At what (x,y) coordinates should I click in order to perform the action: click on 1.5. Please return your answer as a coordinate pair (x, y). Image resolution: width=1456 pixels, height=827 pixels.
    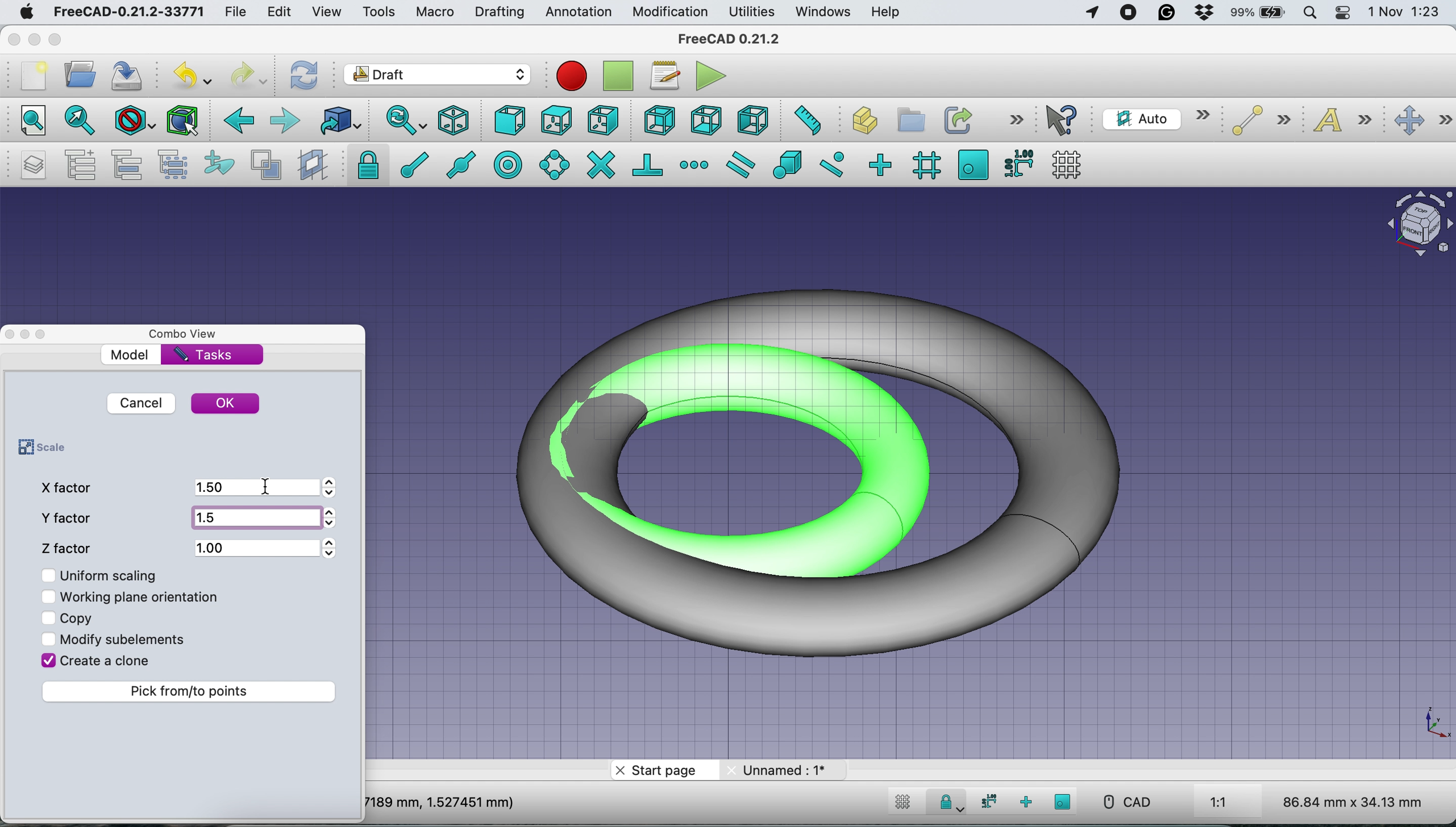
    Looking at the image, I should click on (253, 486).